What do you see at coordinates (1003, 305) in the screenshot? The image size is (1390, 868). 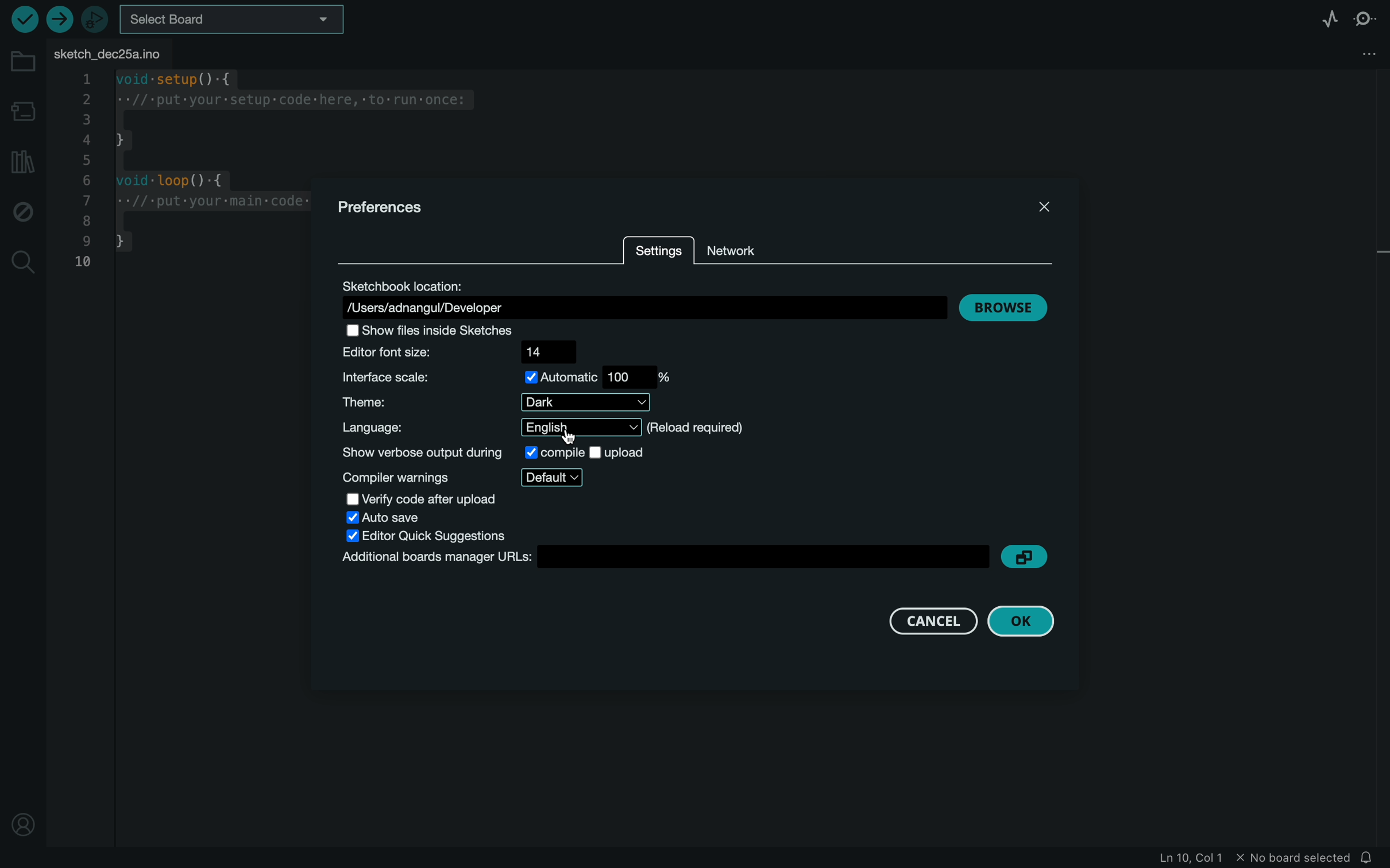 I see `browse` at bounding box center [1003, 305].